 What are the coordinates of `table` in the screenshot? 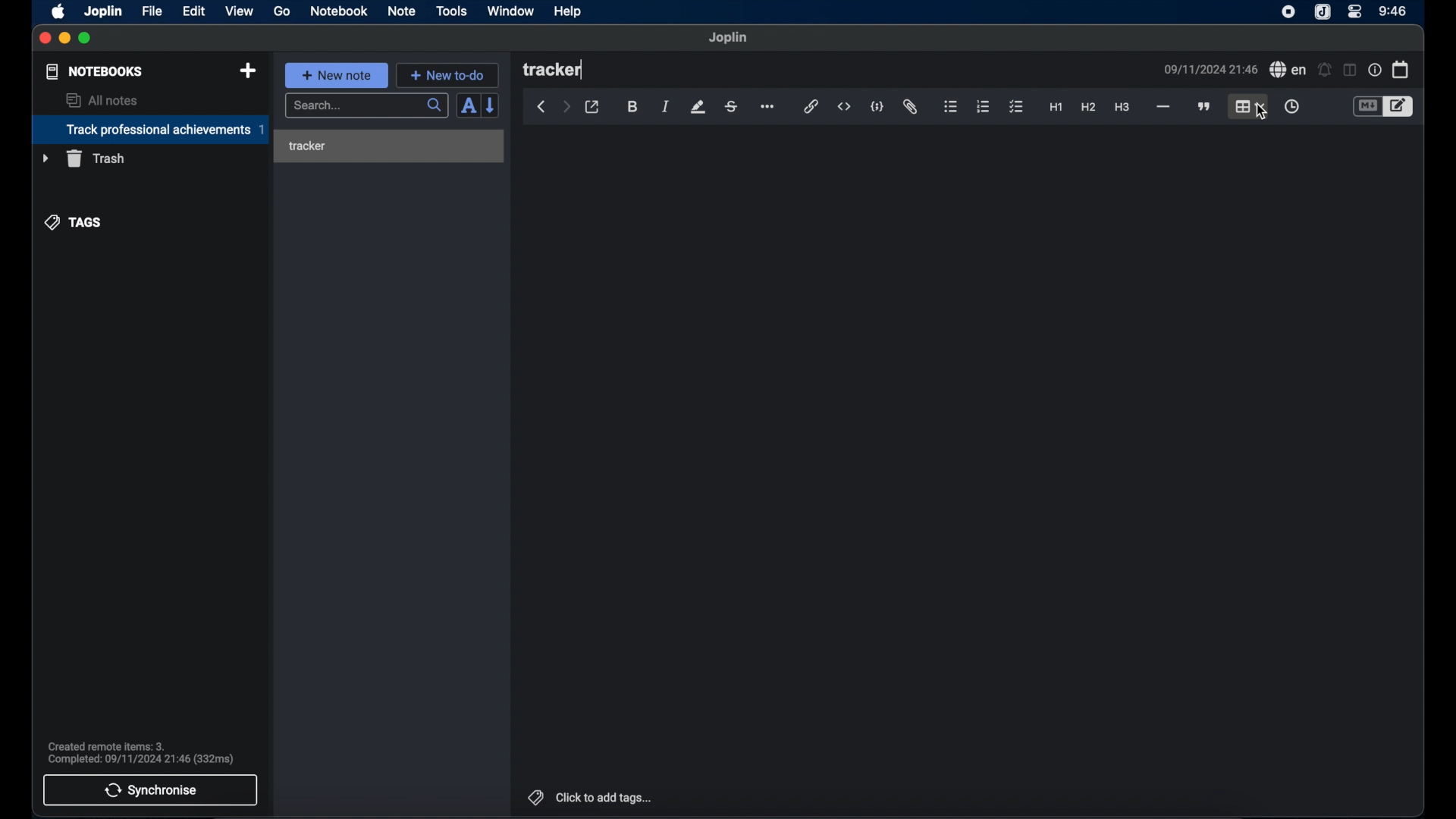 It's located at (1250, 105).